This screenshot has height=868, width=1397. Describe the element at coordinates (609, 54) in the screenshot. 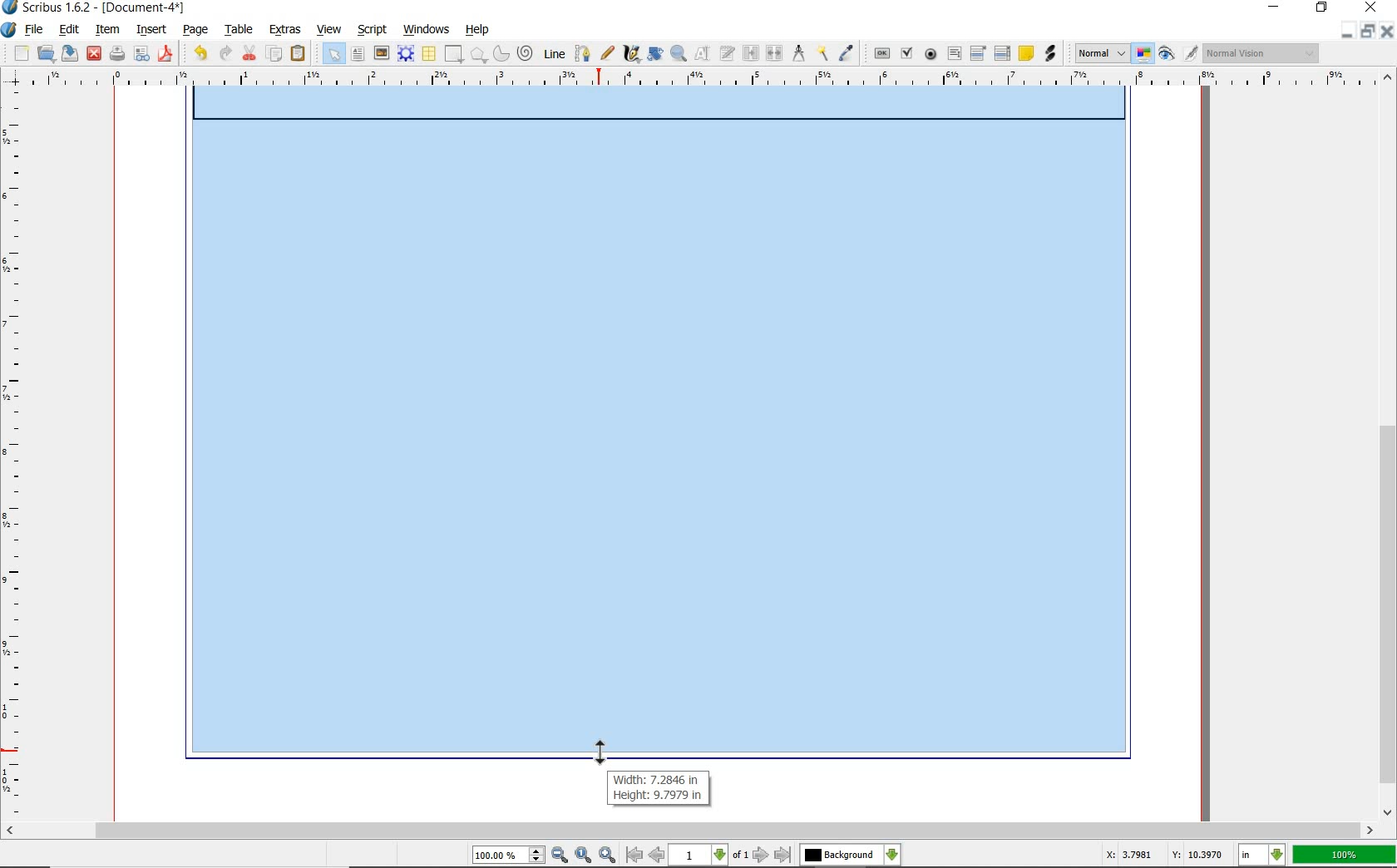

I see `freehand line` at that location.